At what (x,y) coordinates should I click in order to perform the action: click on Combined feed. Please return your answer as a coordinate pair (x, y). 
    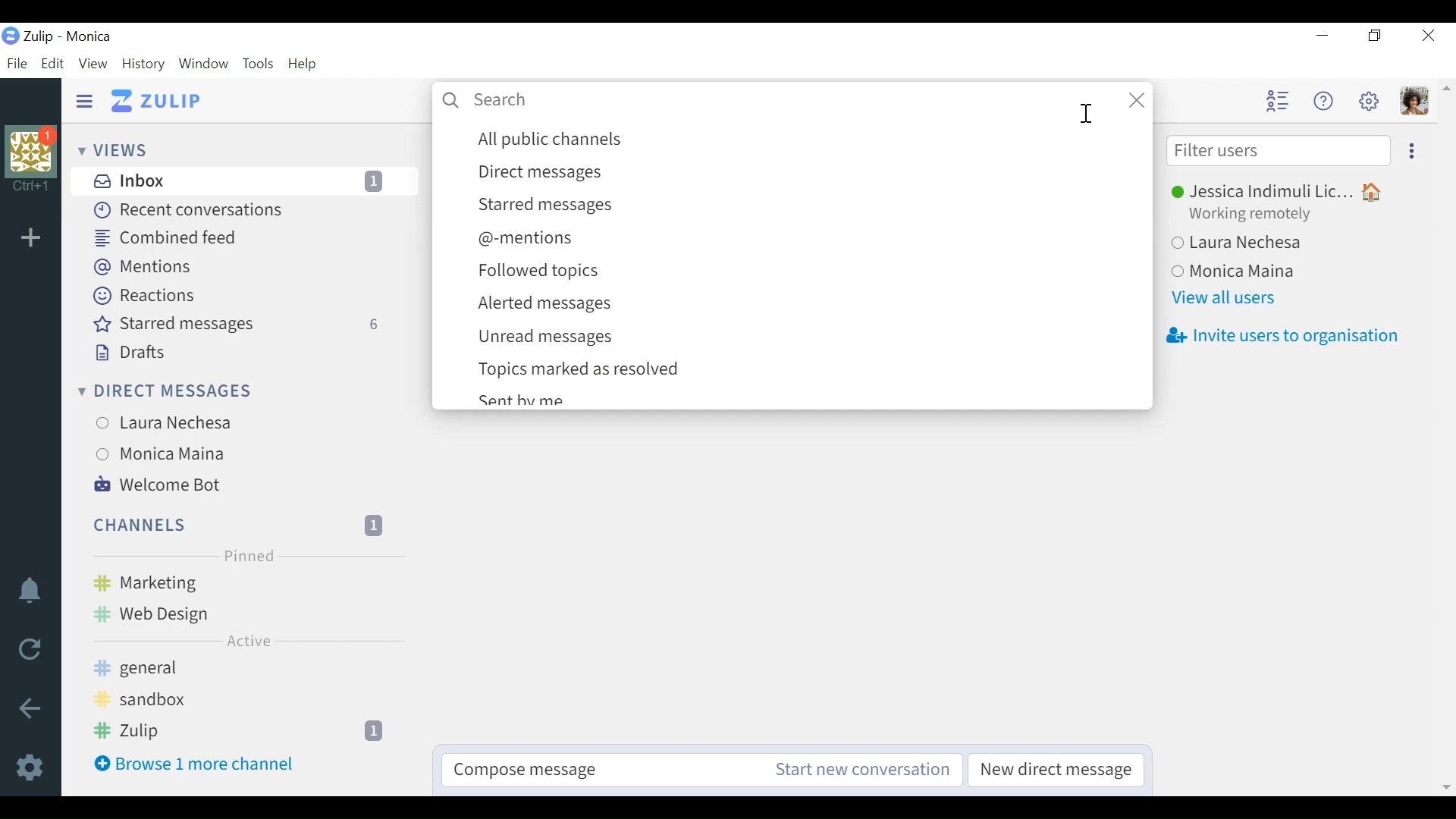
    Looking at the image, I should click on (169, 238).